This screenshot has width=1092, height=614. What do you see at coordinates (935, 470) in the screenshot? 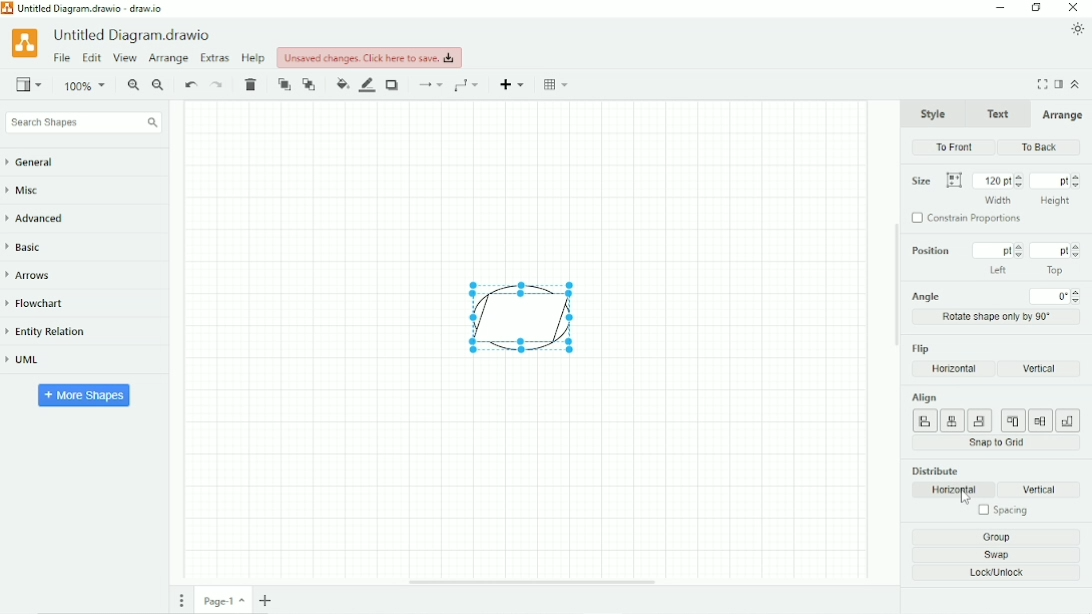
I see `Distribute` at bounding box center [935, 470].